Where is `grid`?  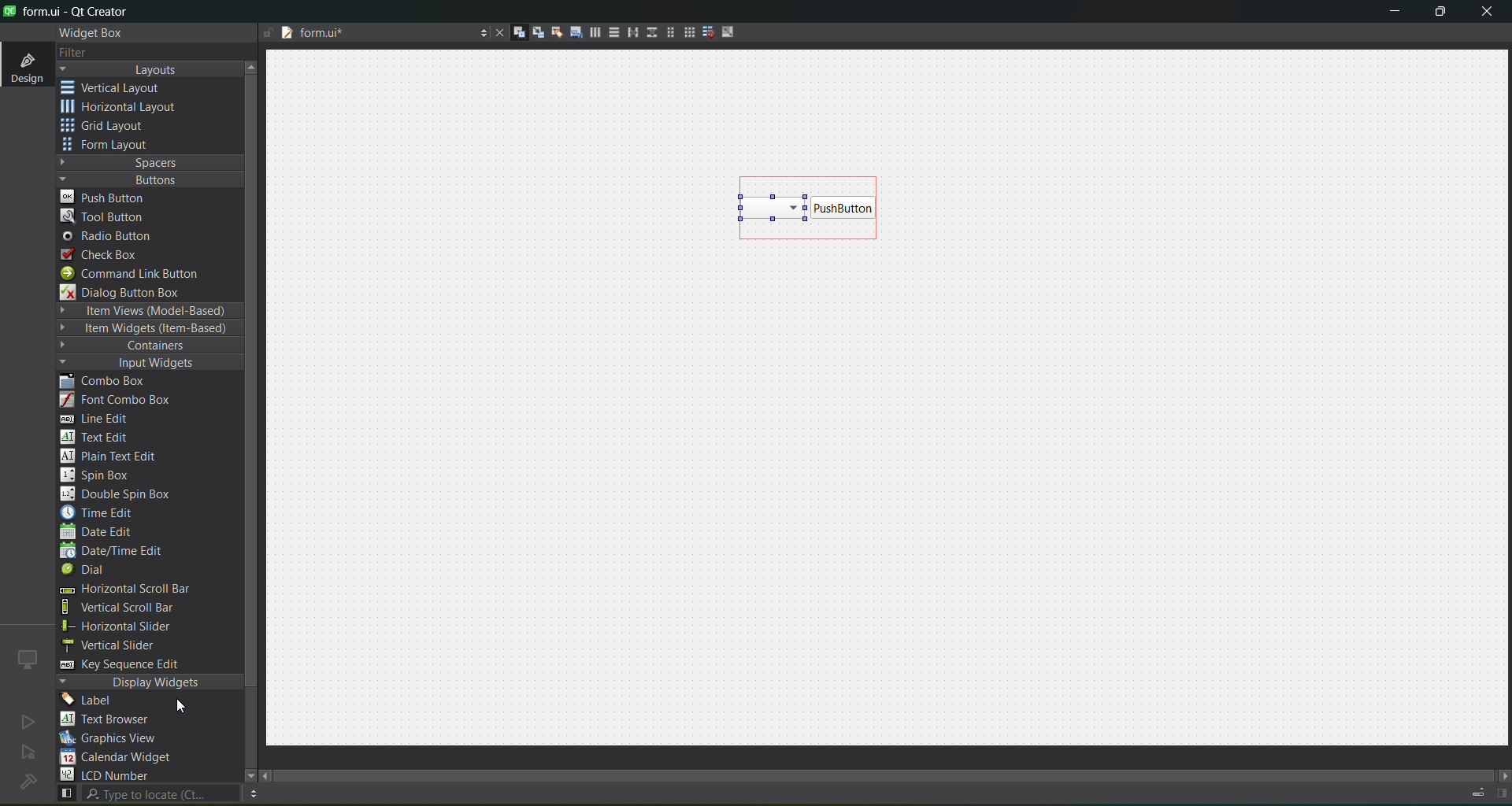 grid is located at coordinates (113, 128).